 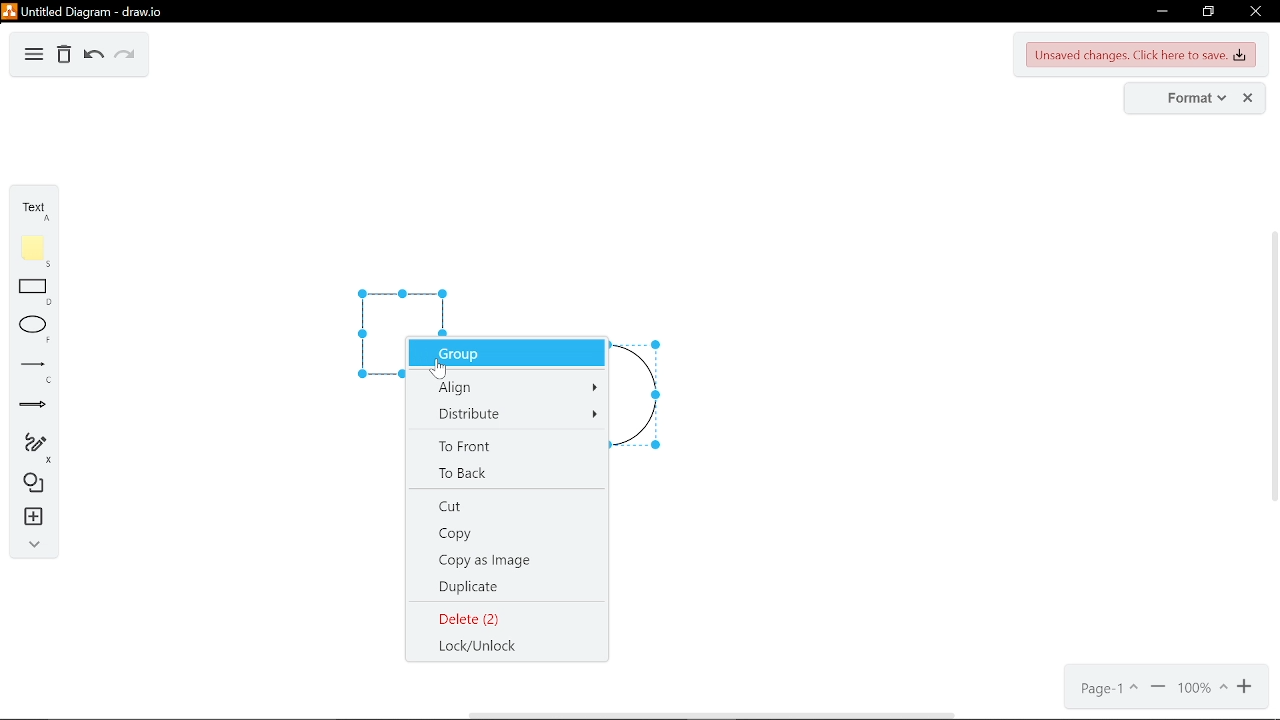 I want to click on format, so click(x=1191, y=99).